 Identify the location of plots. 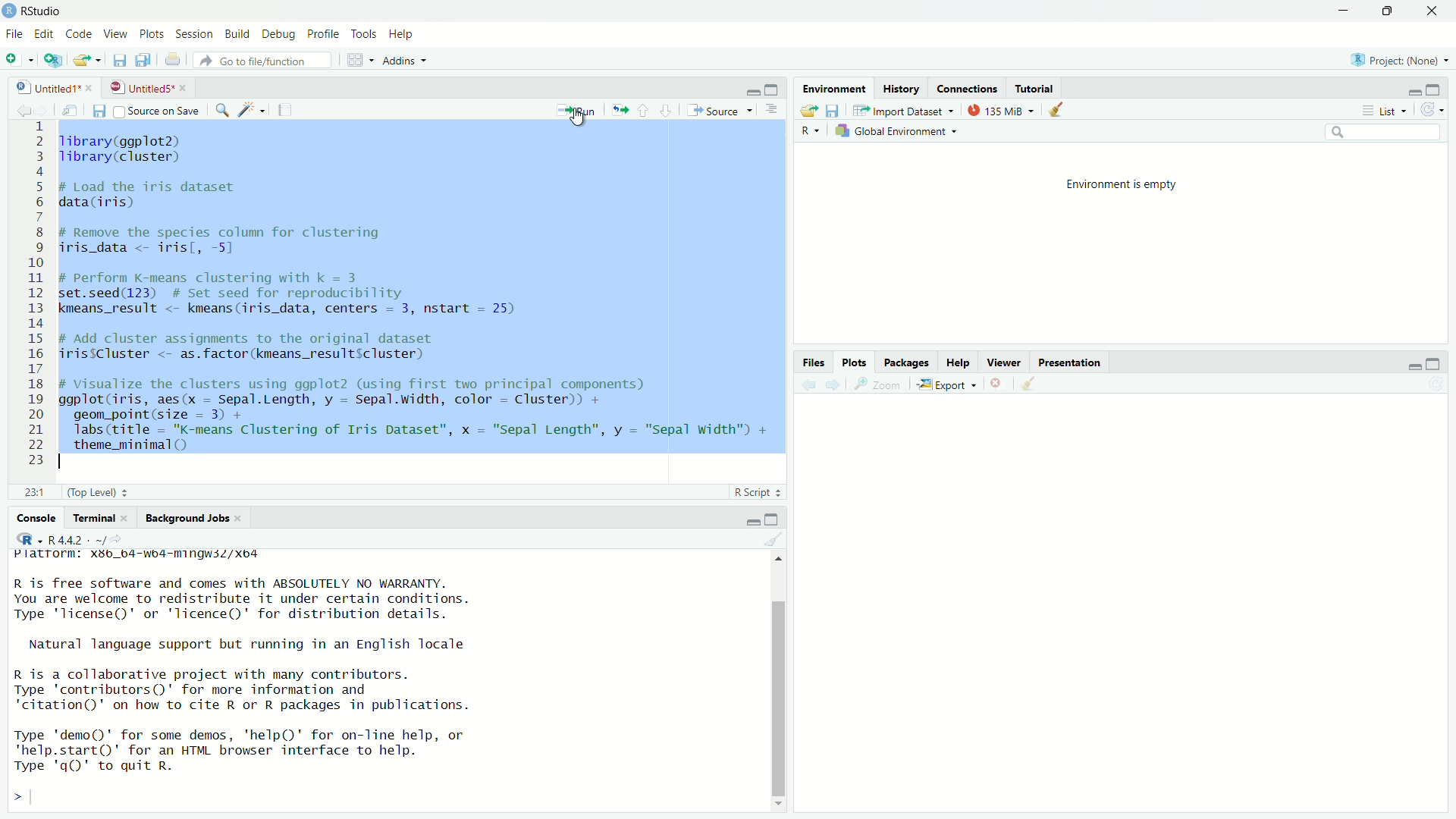
(150, 32).